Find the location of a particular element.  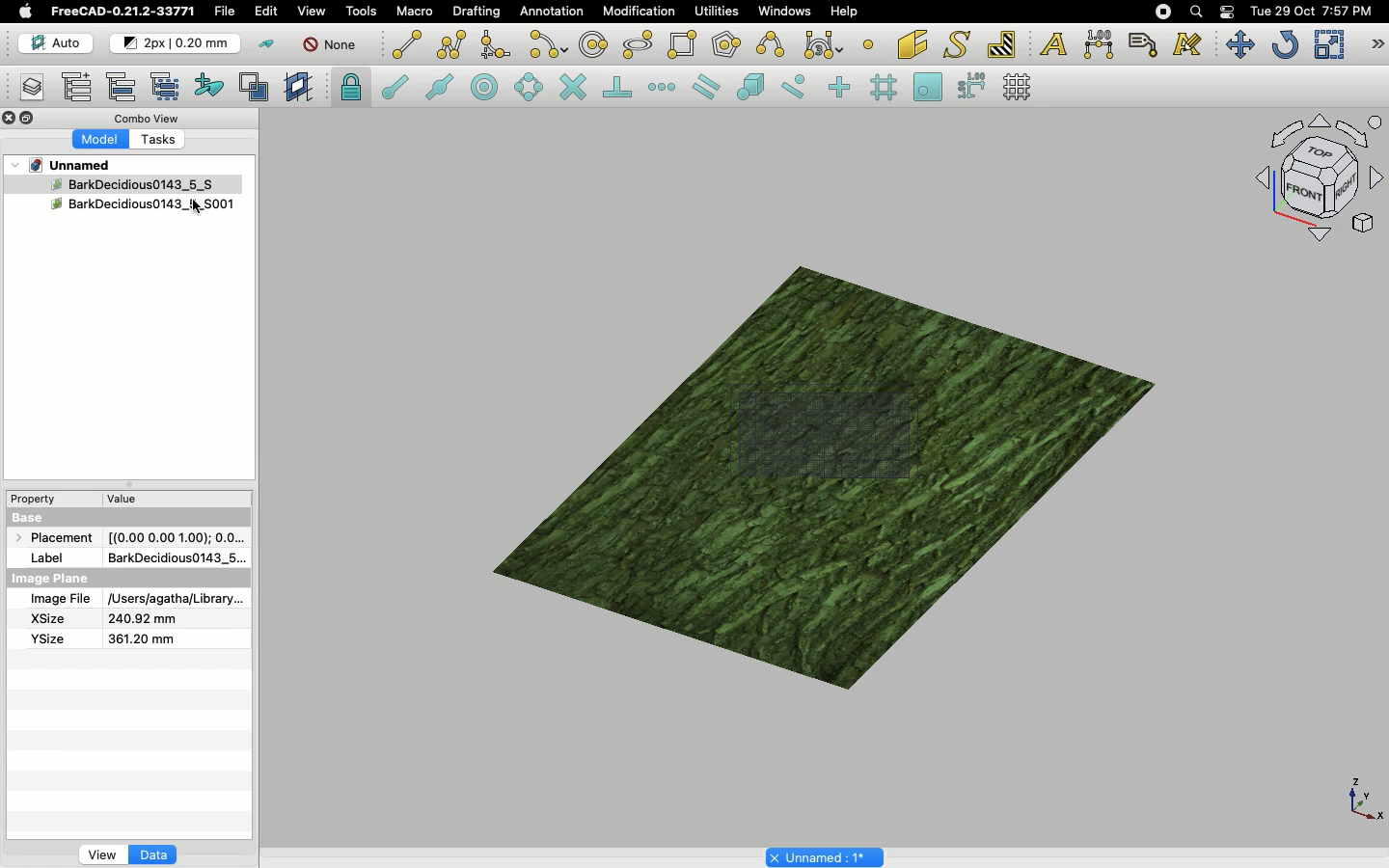

[Users/agatha/Library... is located at coordinates (172, 600).